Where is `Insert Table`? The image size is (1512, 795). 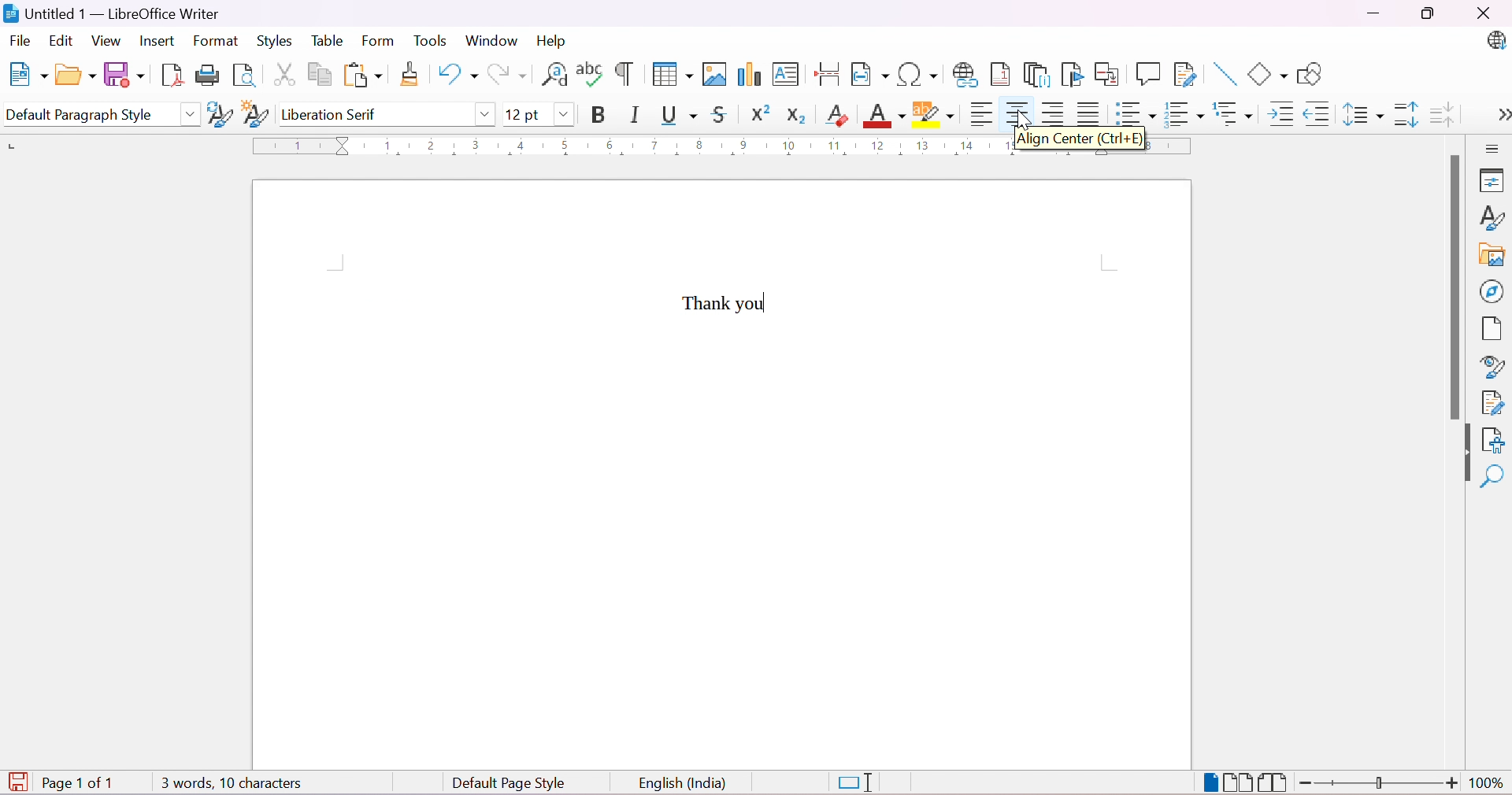 Insert Table is located at coordinates (672, 74).